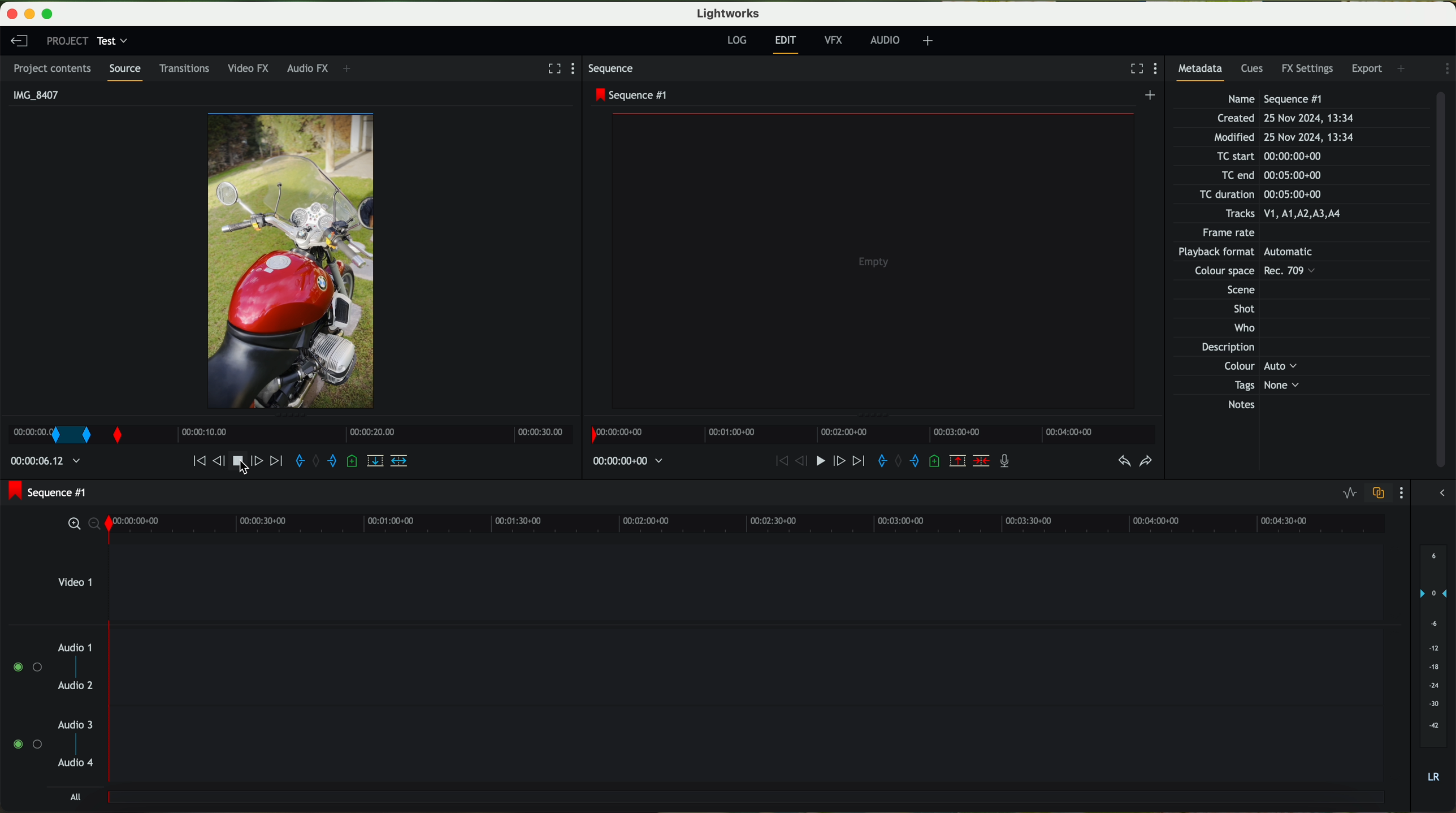  Describe the element at coordinates (615, 70) in the screenshot. I see `sequence` at that location.